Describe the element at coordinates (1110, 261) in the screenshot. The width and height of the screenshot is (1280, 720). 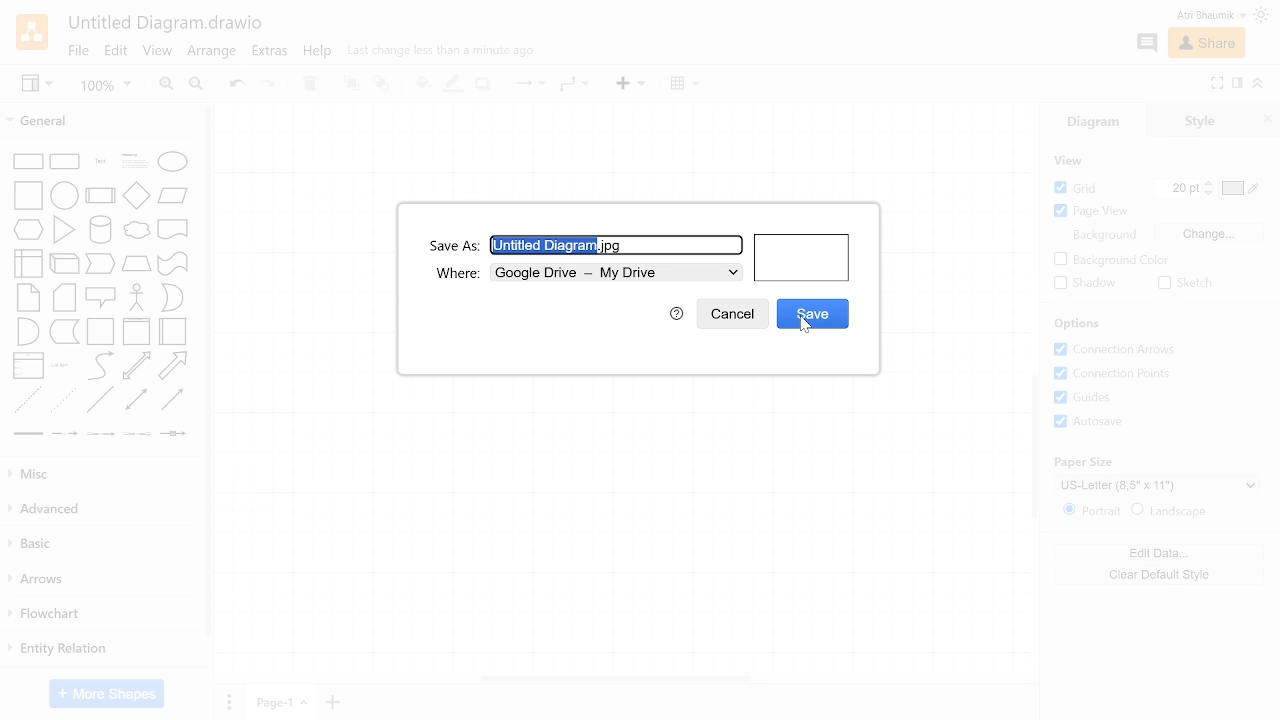
I see `background color` at that location.